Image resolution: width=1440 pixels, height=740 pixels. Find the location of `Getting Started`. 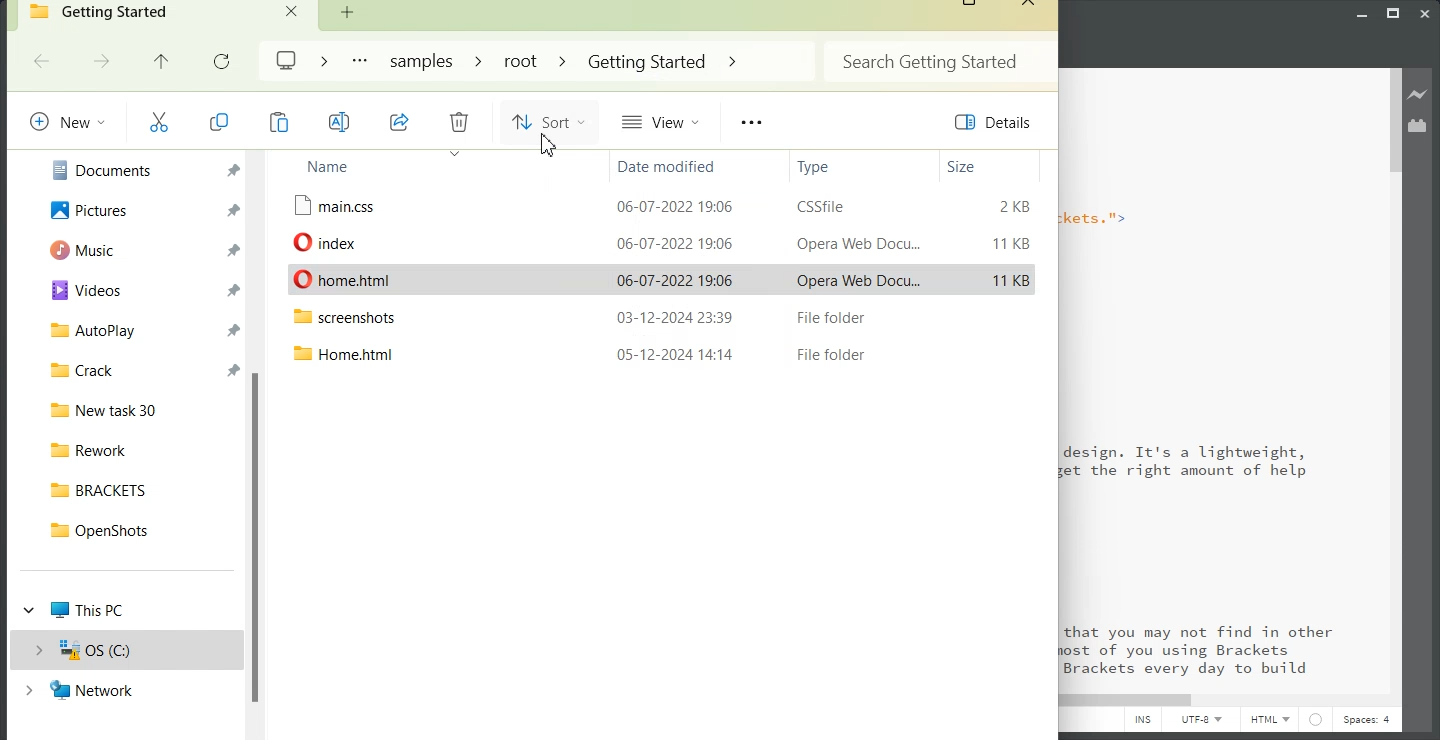

Getting Started is located at coordinates (100, 14).